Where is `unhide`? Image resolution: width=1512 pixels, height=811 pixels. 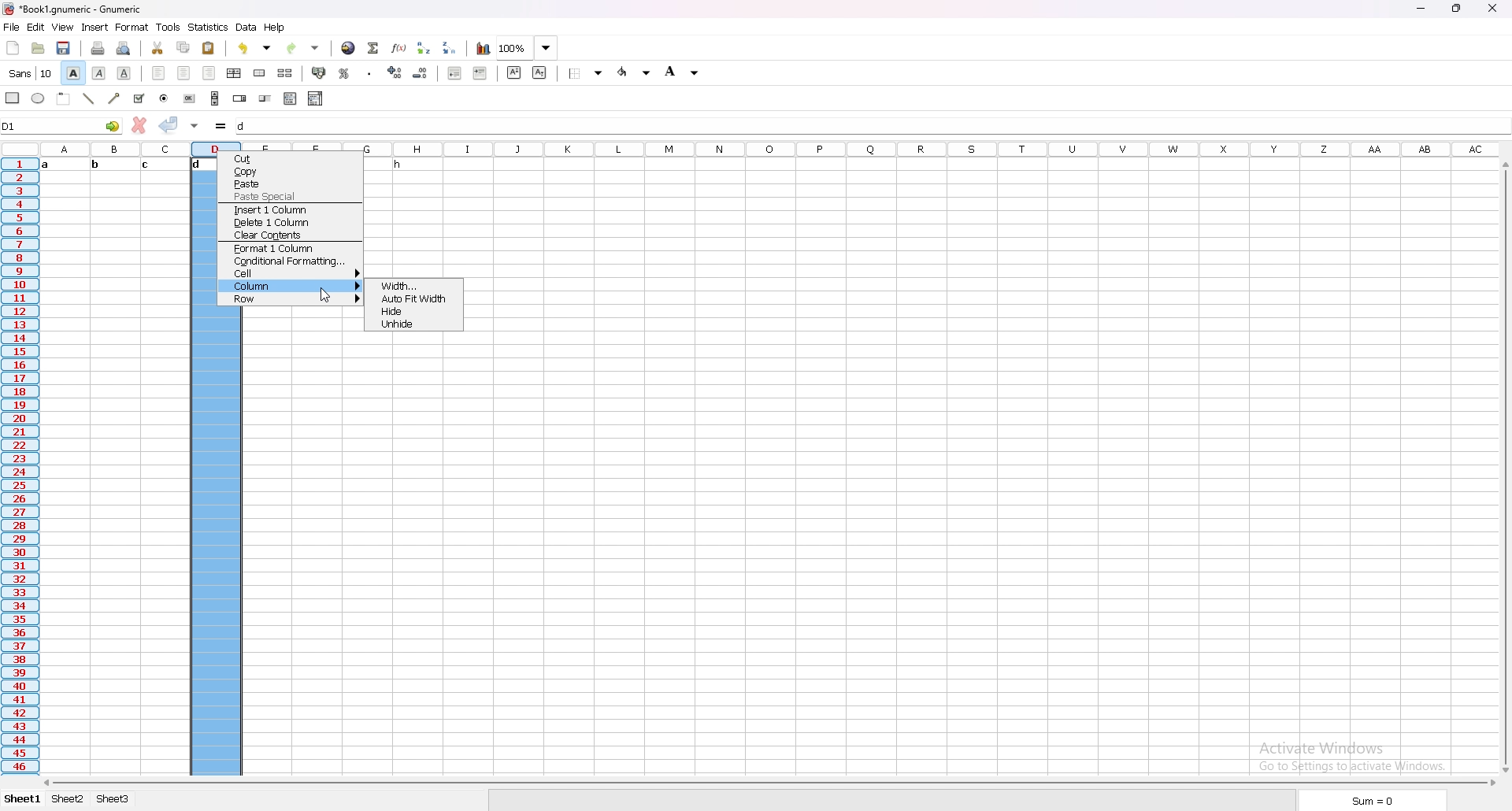
unhide is located at coordinates (414, 325).